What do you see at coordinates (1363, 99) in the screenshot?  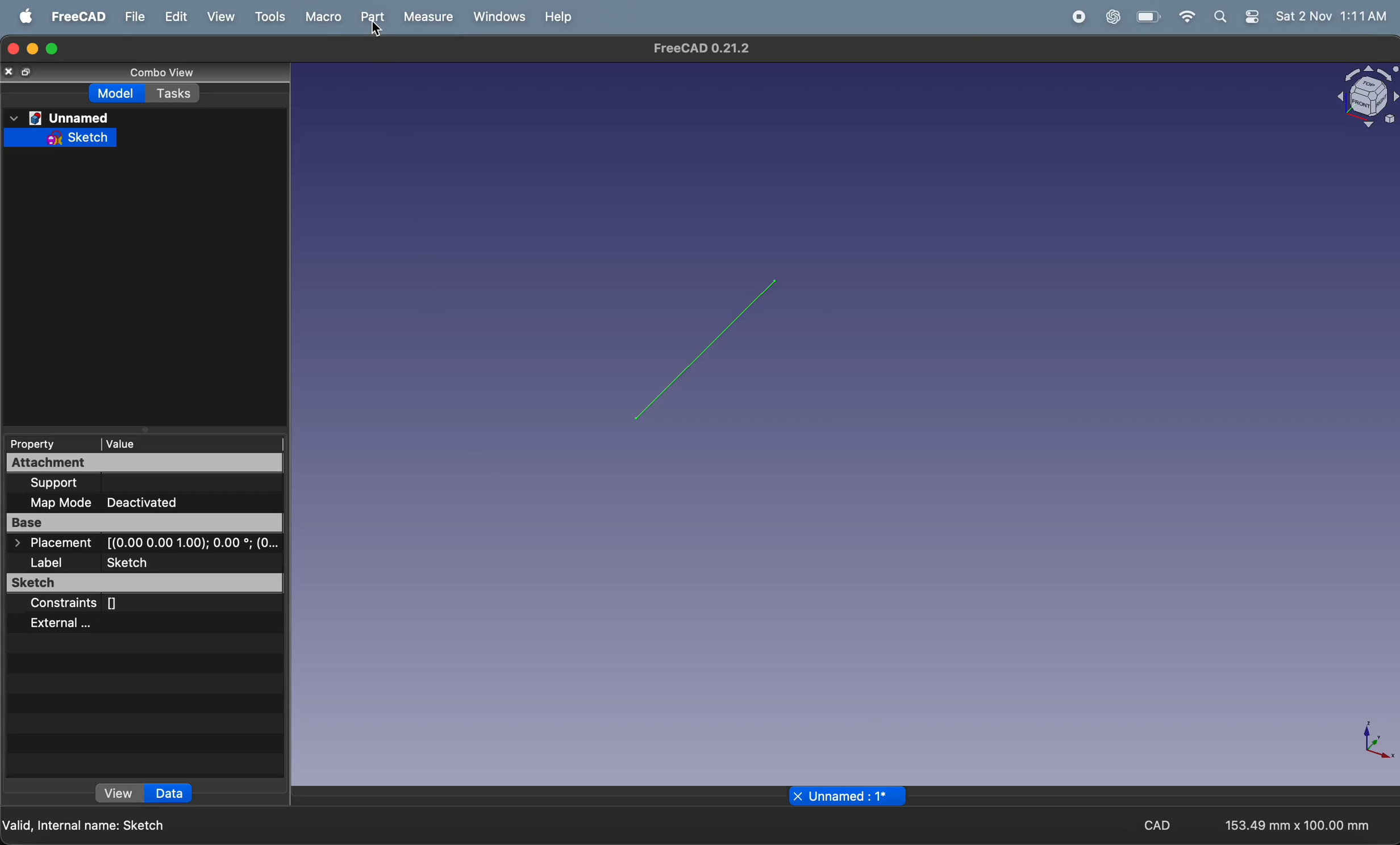 I see `object view` at bounding box center [1363, 99].